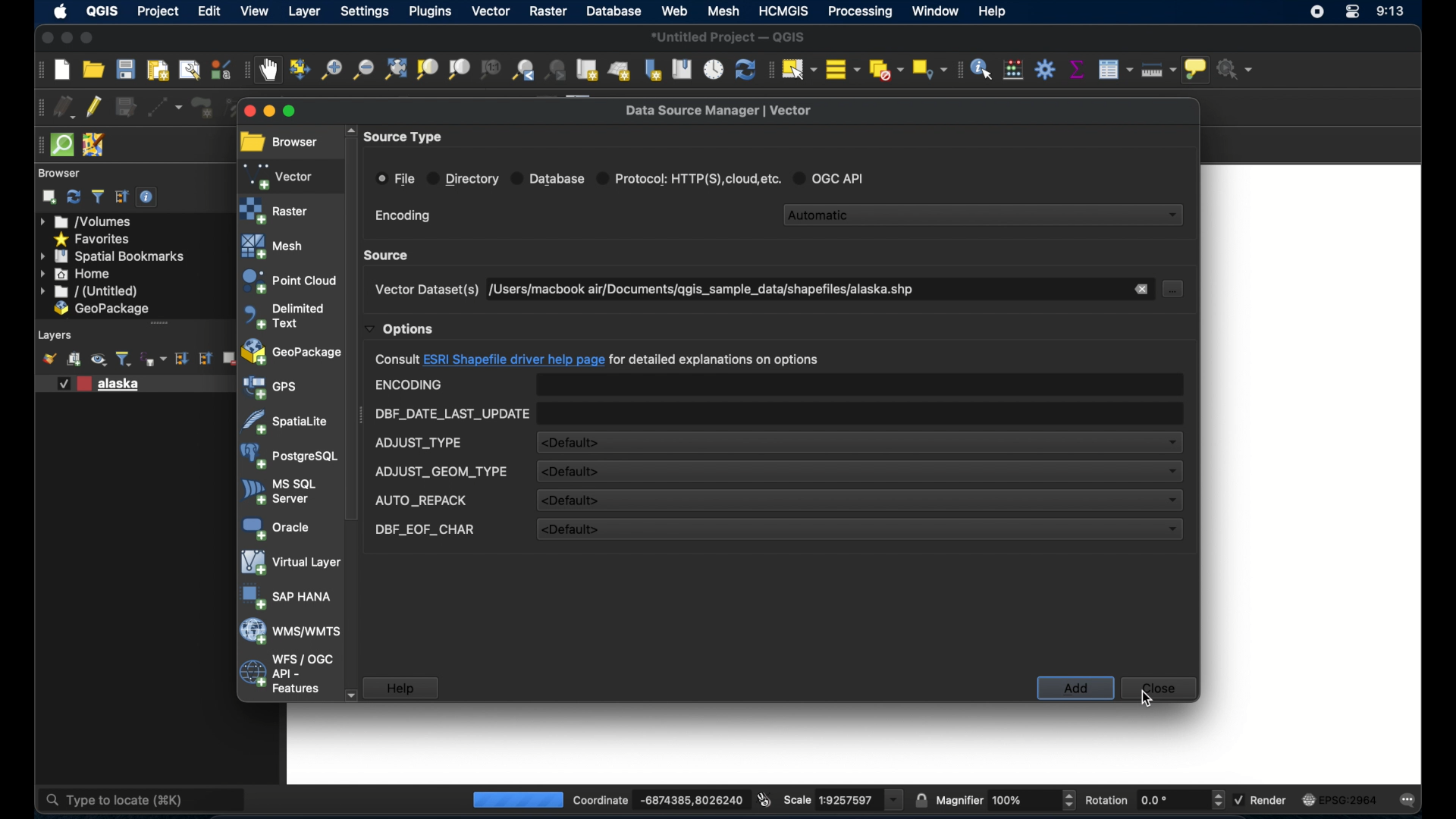 The width and height of the screenshot is (1456, 819). What do you see at coordinates (714, 68) in the screenshot?
I see `temporal controller panel` at bounding box center [714, 68].